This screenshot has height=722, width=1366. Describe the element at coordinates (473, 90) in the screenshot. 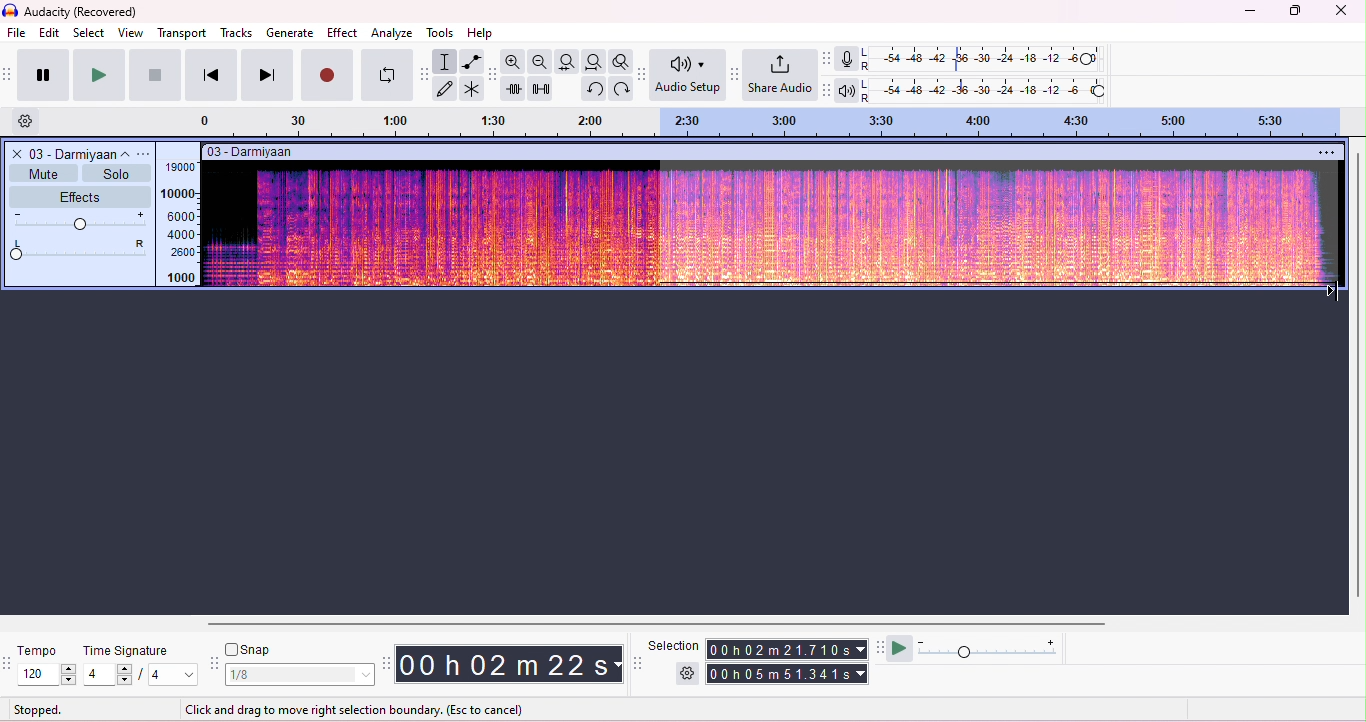

I see `multi` at that location.